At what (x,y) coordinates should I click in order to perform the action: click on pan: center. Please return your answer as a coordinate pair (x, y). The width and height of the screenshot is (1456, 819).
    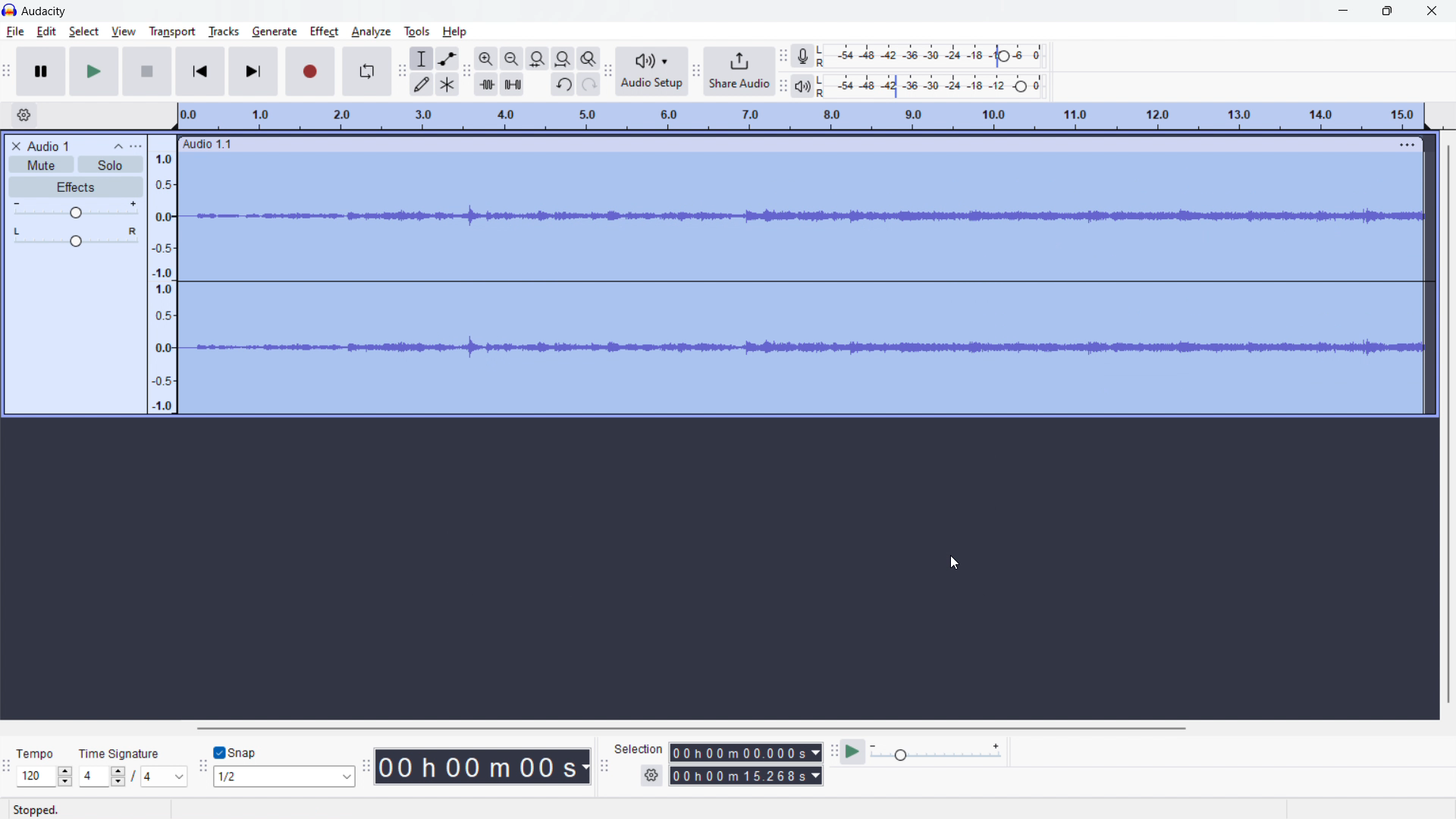
    Looking at the image, I should click on (75, 237).